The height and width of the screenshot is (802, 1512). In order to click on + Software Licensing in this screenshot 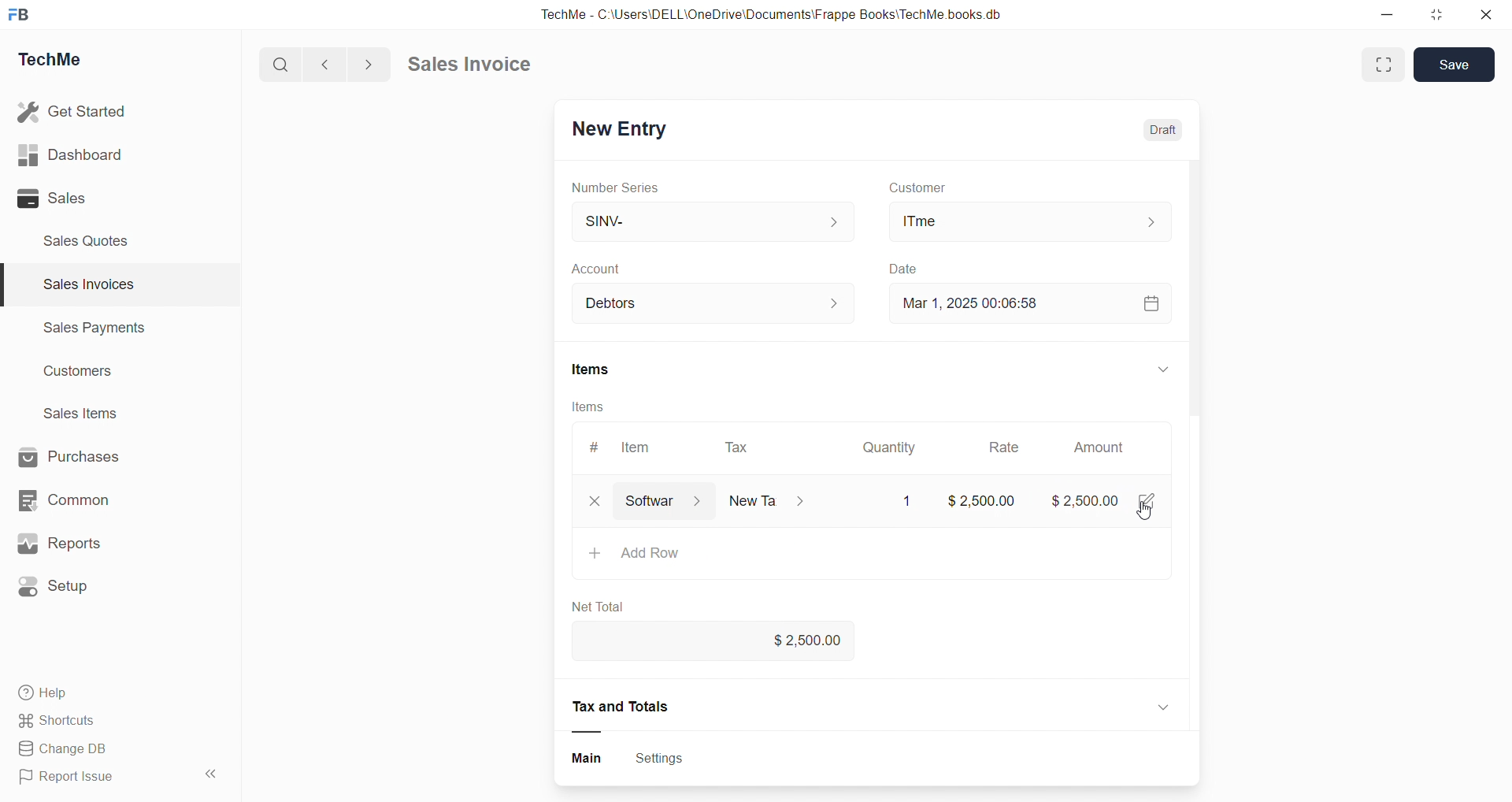, I will do `click(680, 548)`.